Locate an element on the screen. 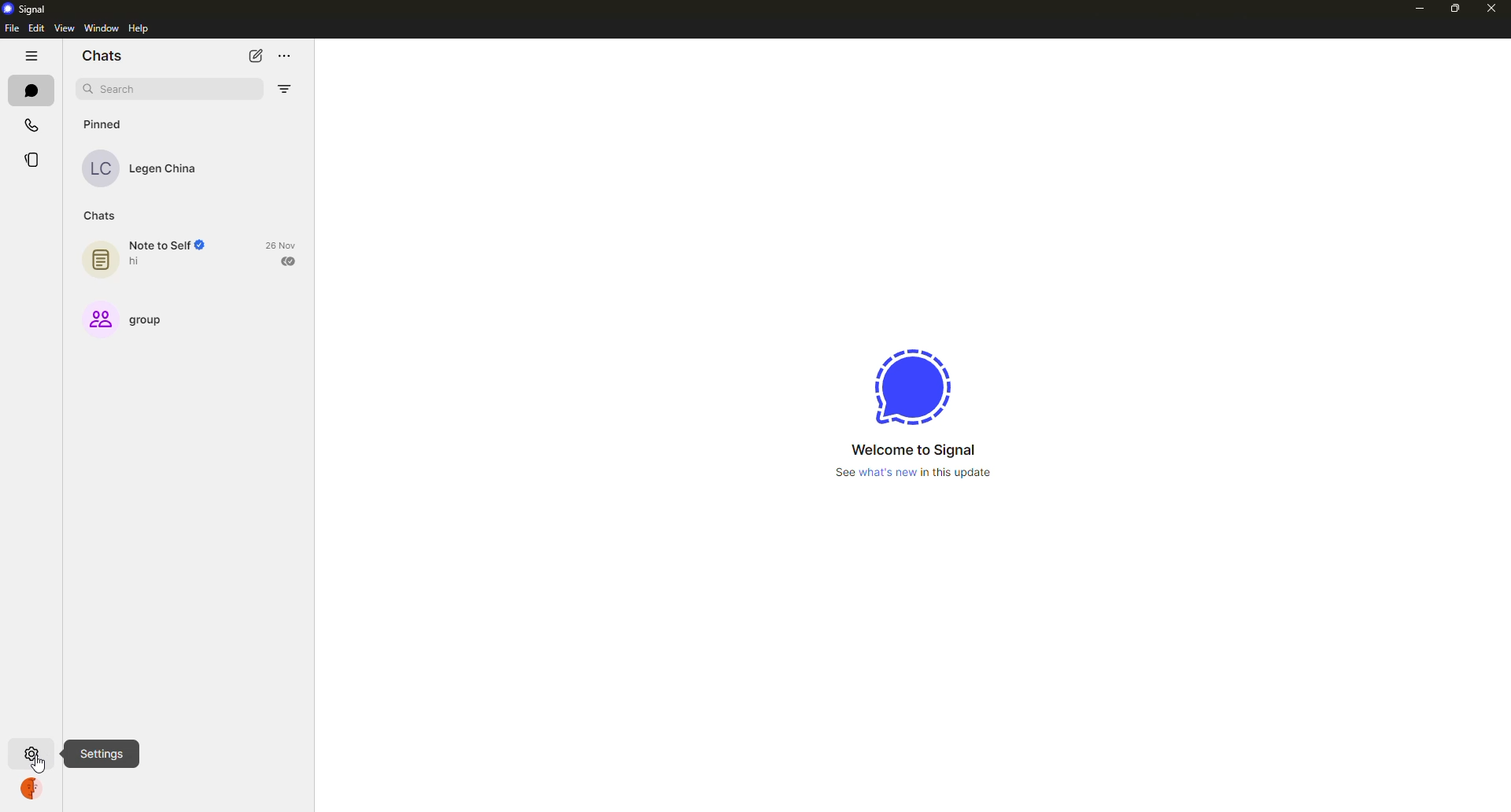  Legen China is located at coordinates (164, 169).